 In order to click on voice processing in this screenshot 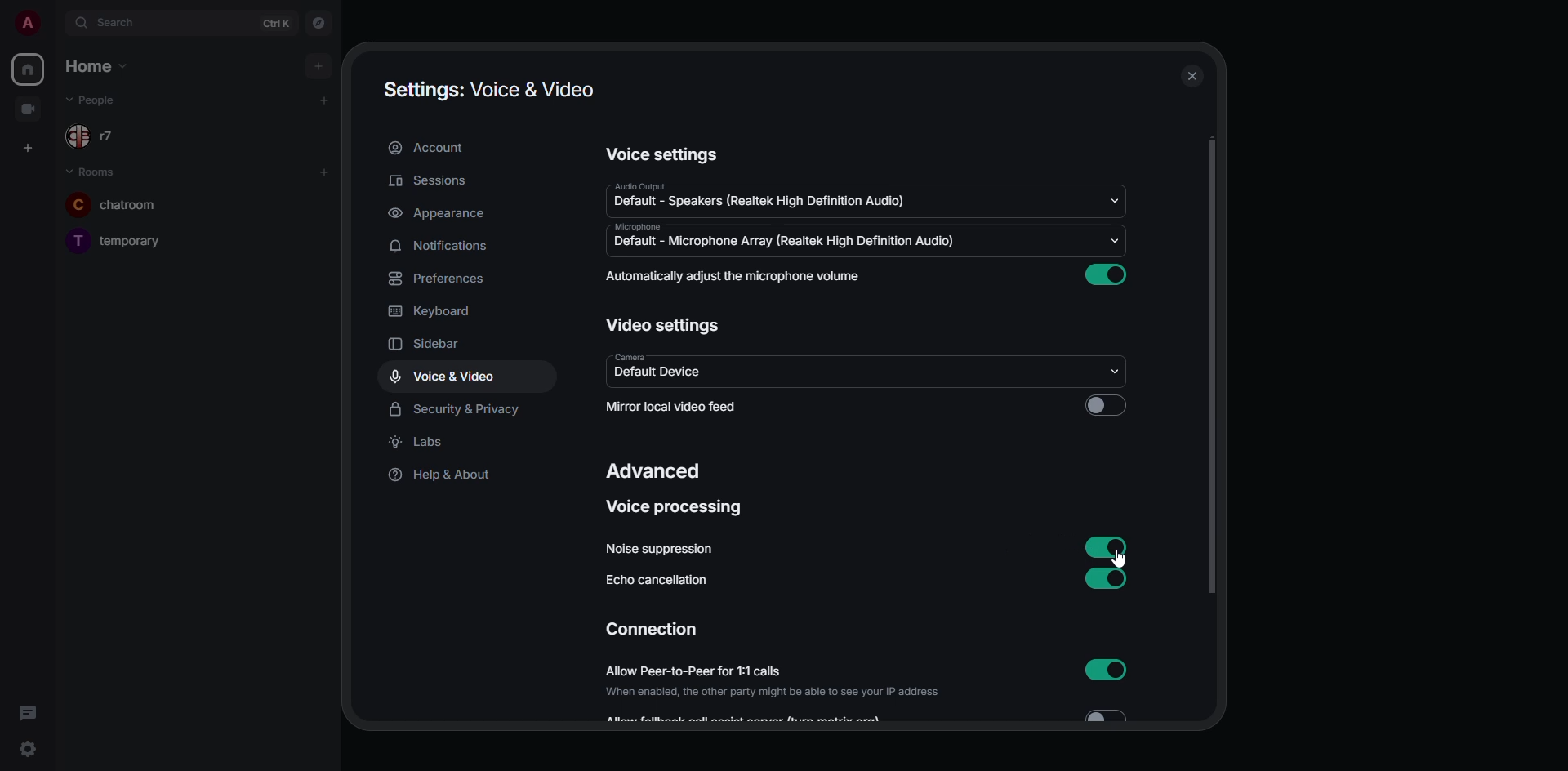, I will do `click(677, 510)`.